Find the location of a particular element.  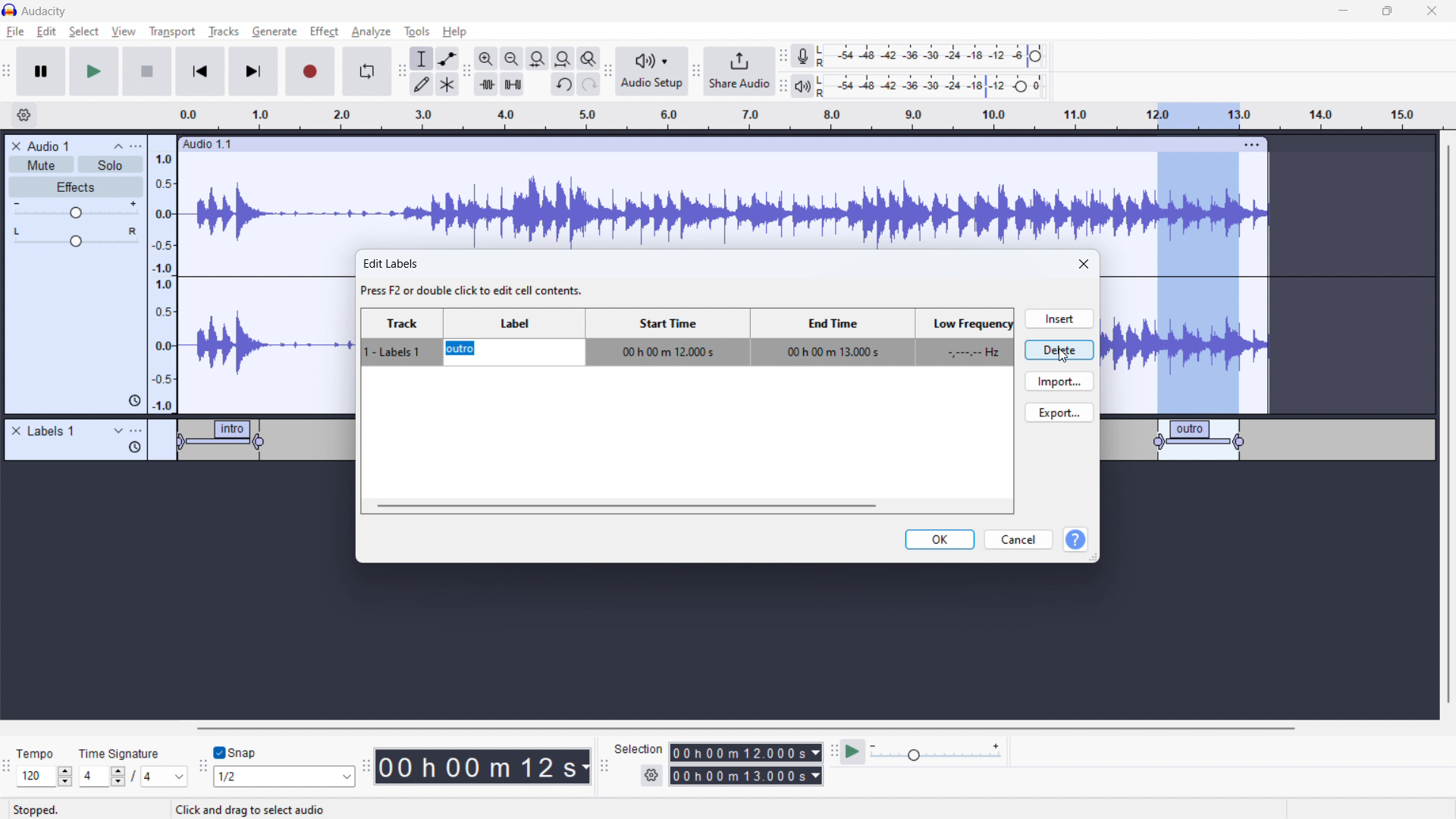

 is located at coordinates (823, 86).